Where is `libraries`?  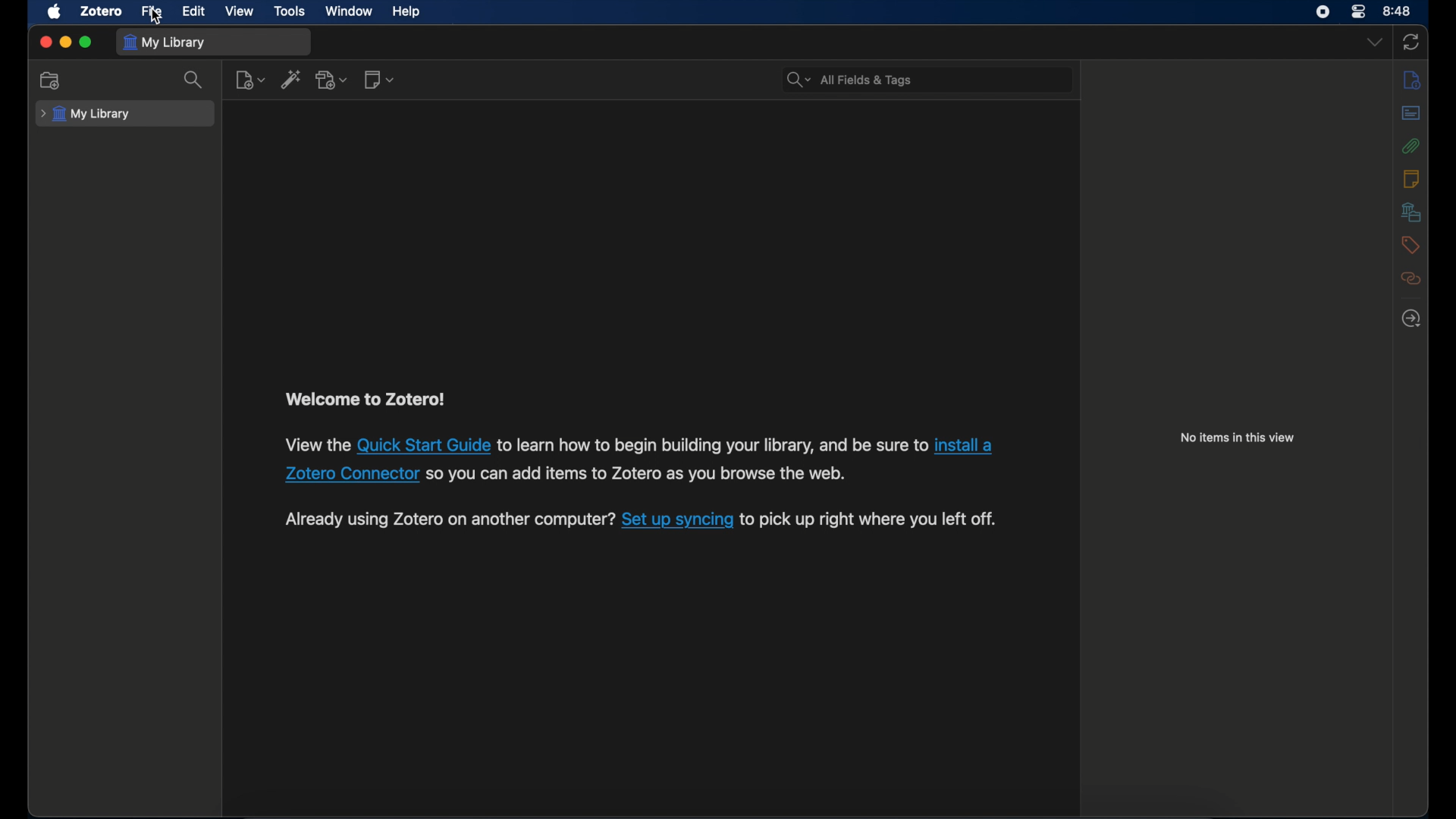
libraries is located at coordinates (1411, 212).